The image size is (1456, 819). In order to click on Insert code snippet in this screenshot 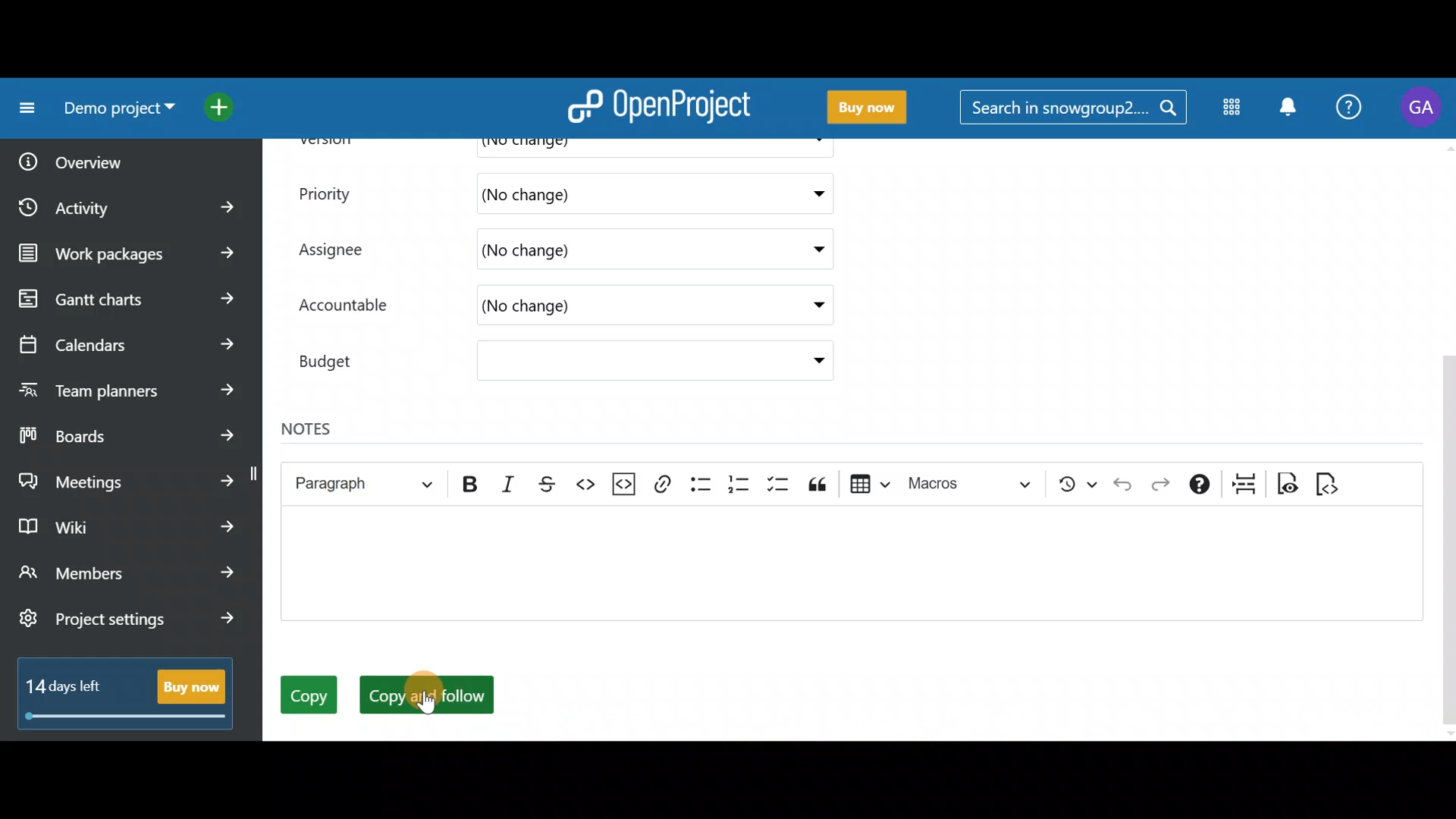, I will do `click(620, 485)`.